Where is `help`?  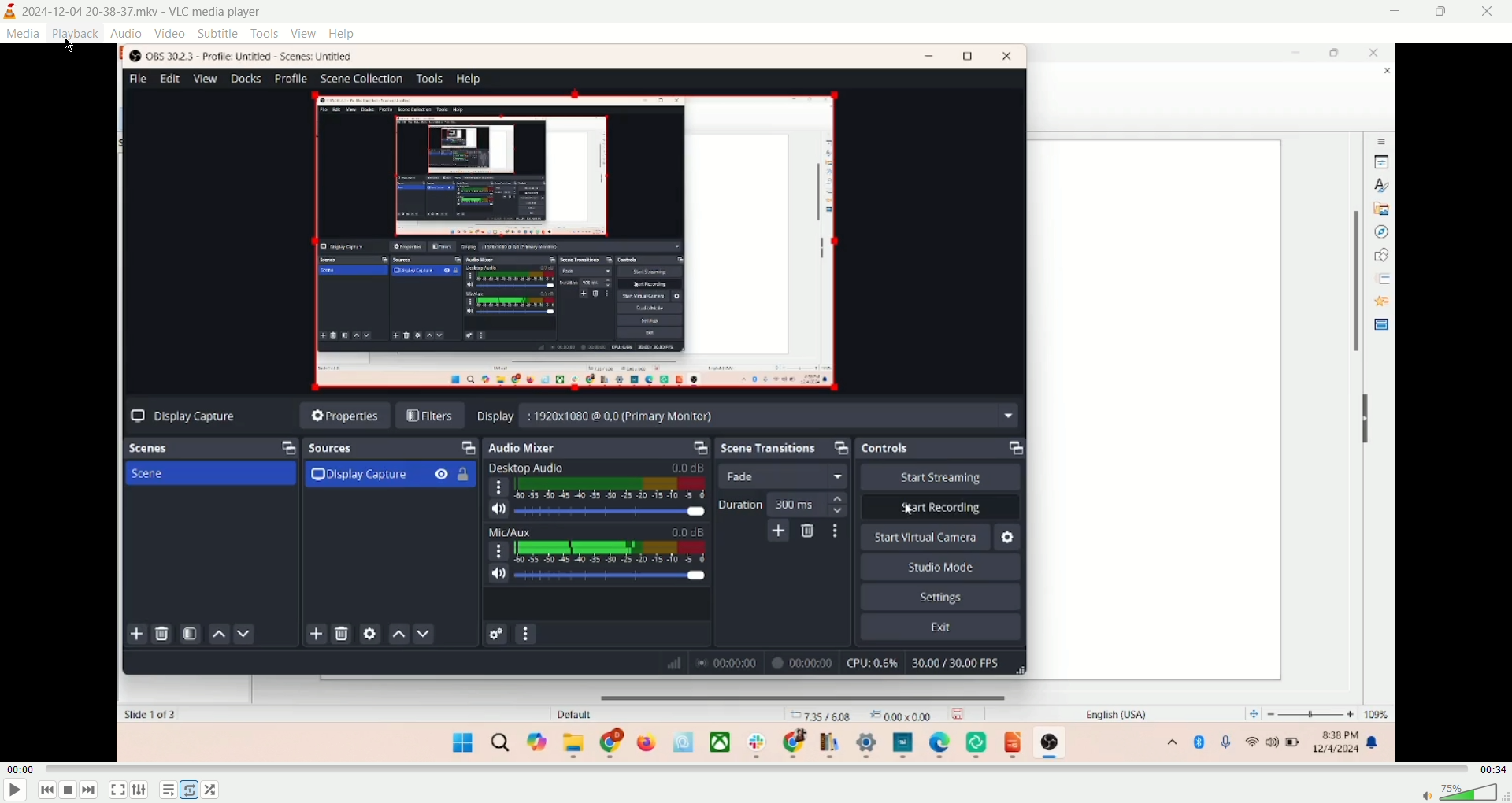
help is located at coordinates (340, 35).